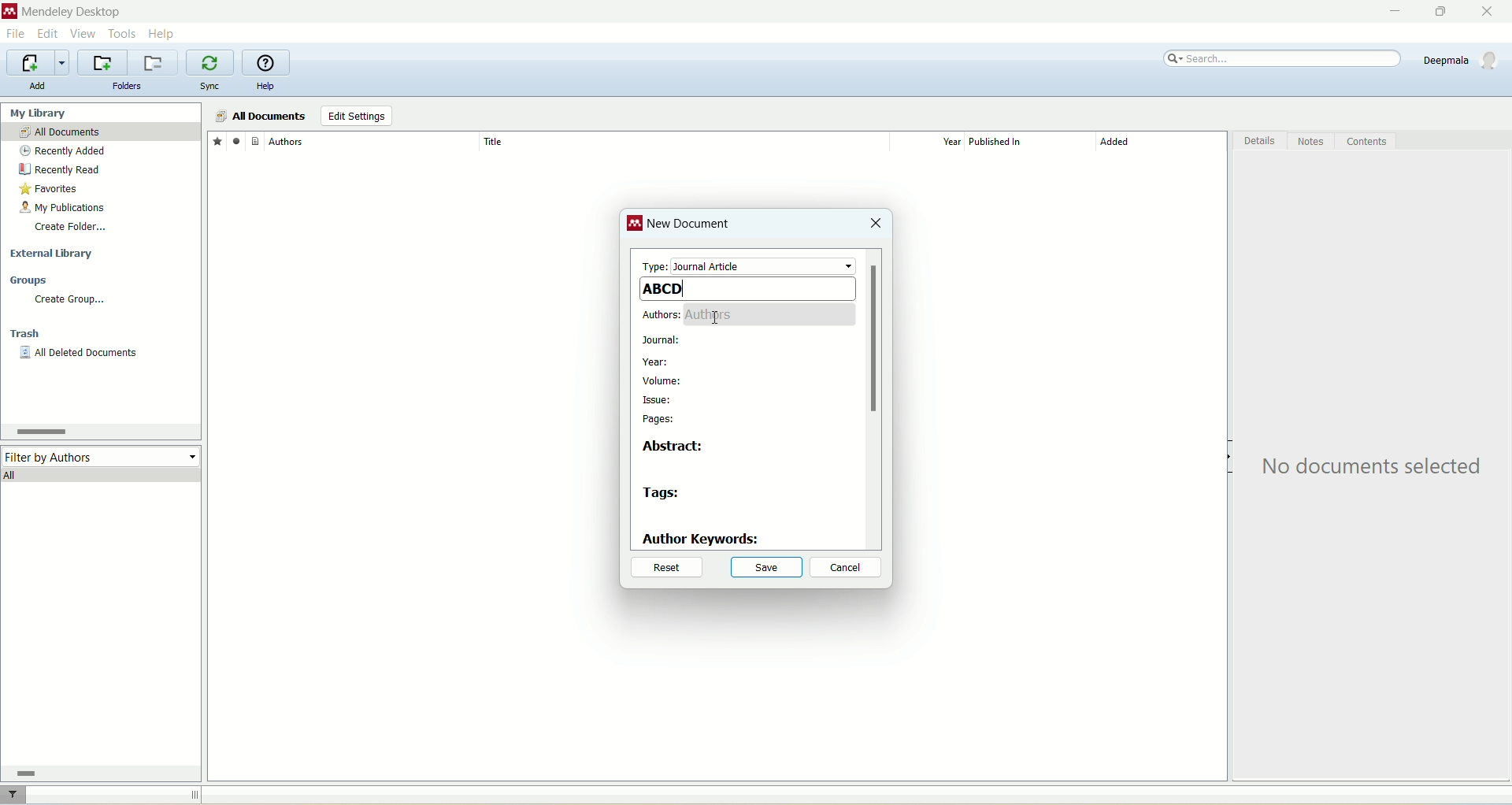  Describe the element at coordinates (1494, 12) in the screenshot. I see `close` at that location.